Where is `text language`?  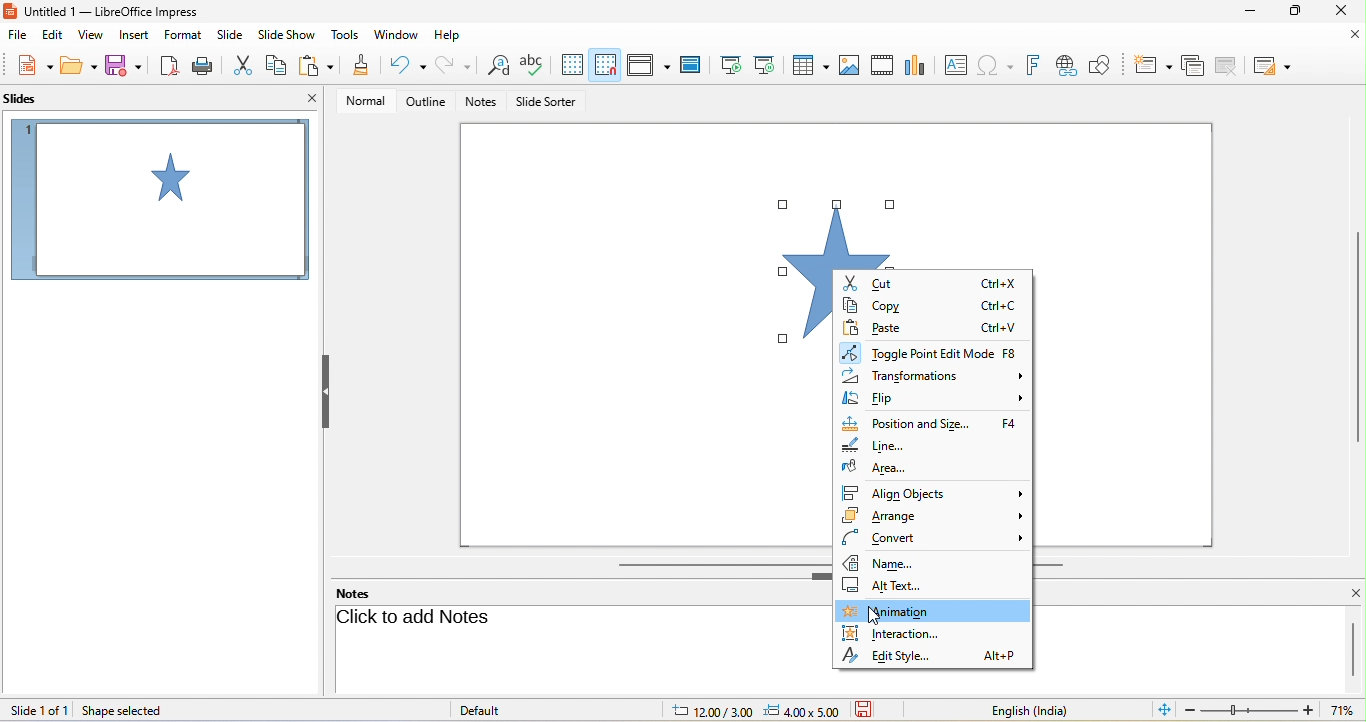
text language is located at coordinates (1016, 710).